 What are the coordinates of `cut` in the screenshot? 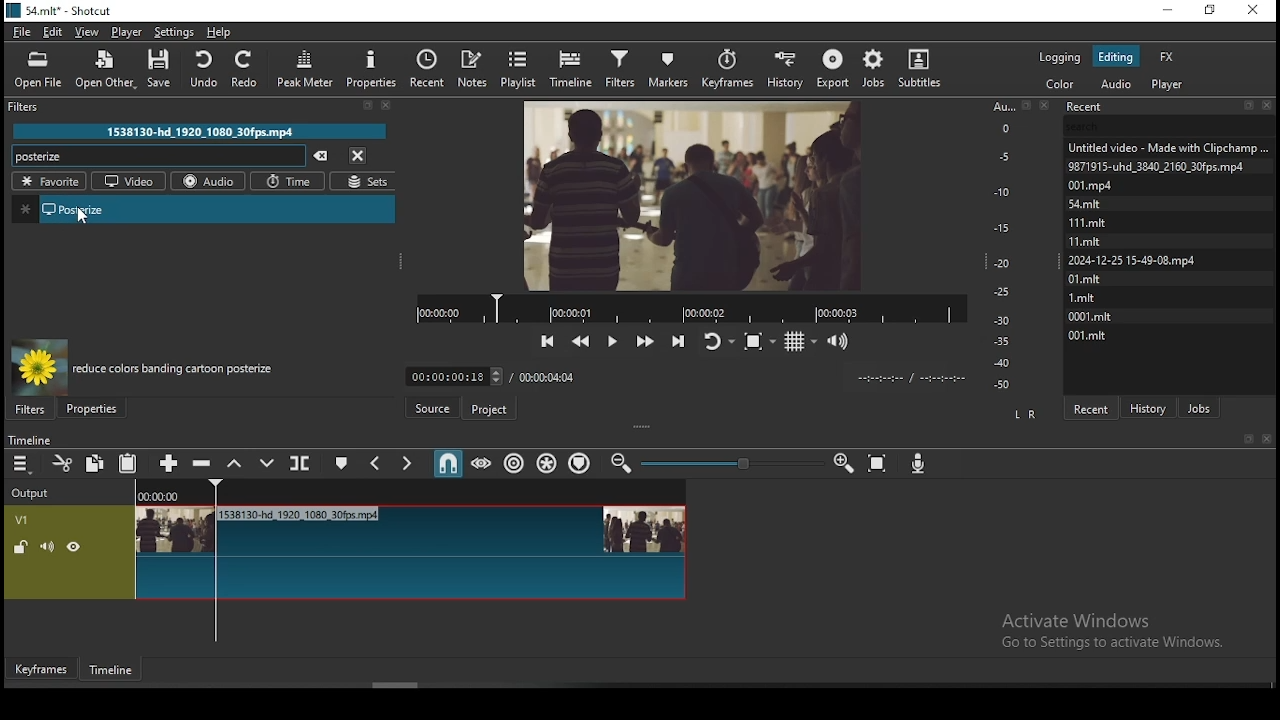 It's located at (60, 463).